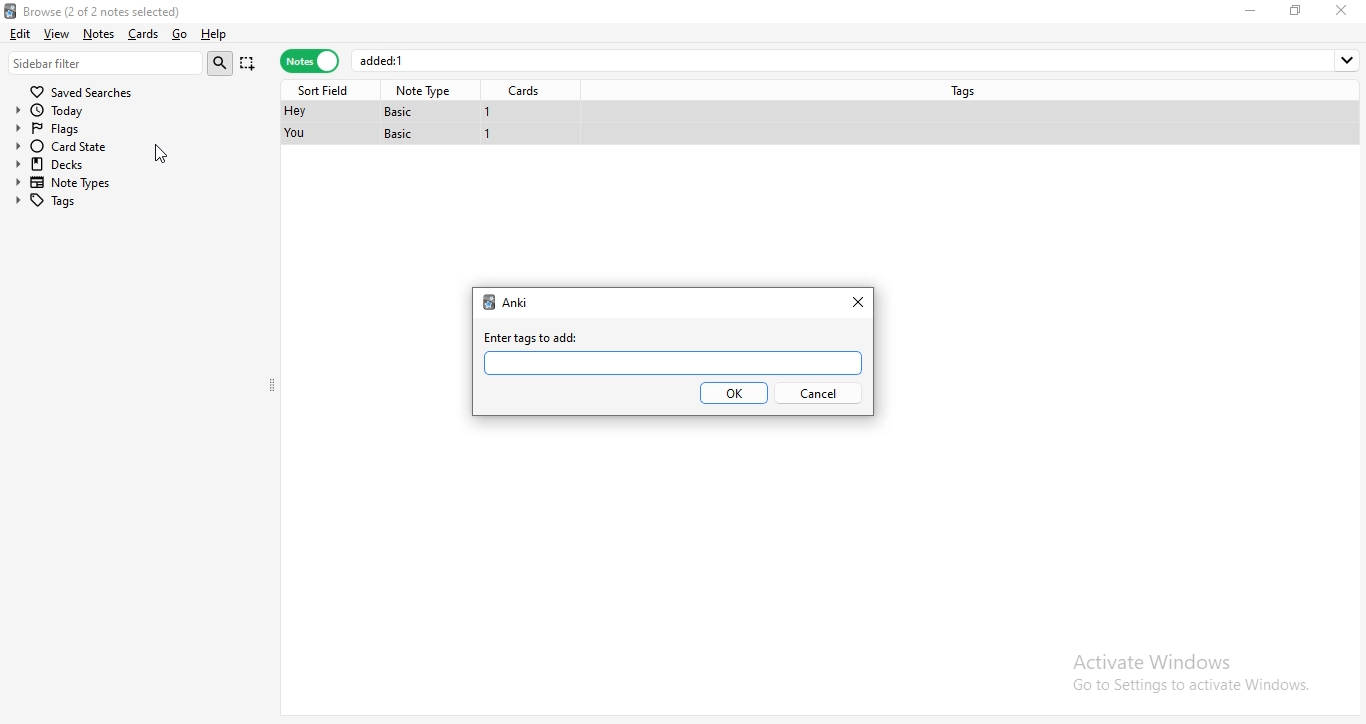  I want to click on anki, so click(517, 302).